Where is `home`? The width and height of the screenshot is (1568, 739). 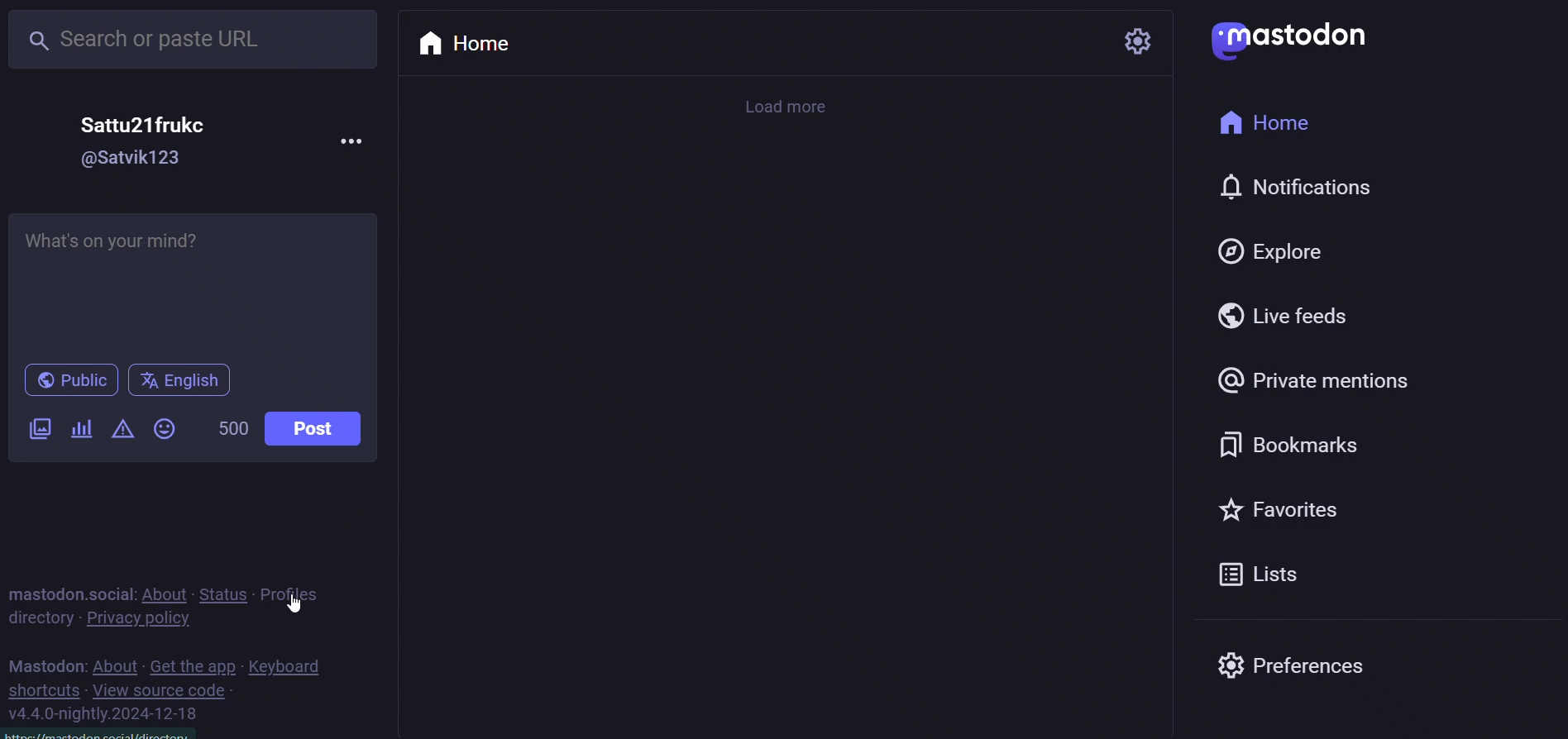
home is located at coordinates (468, 47).